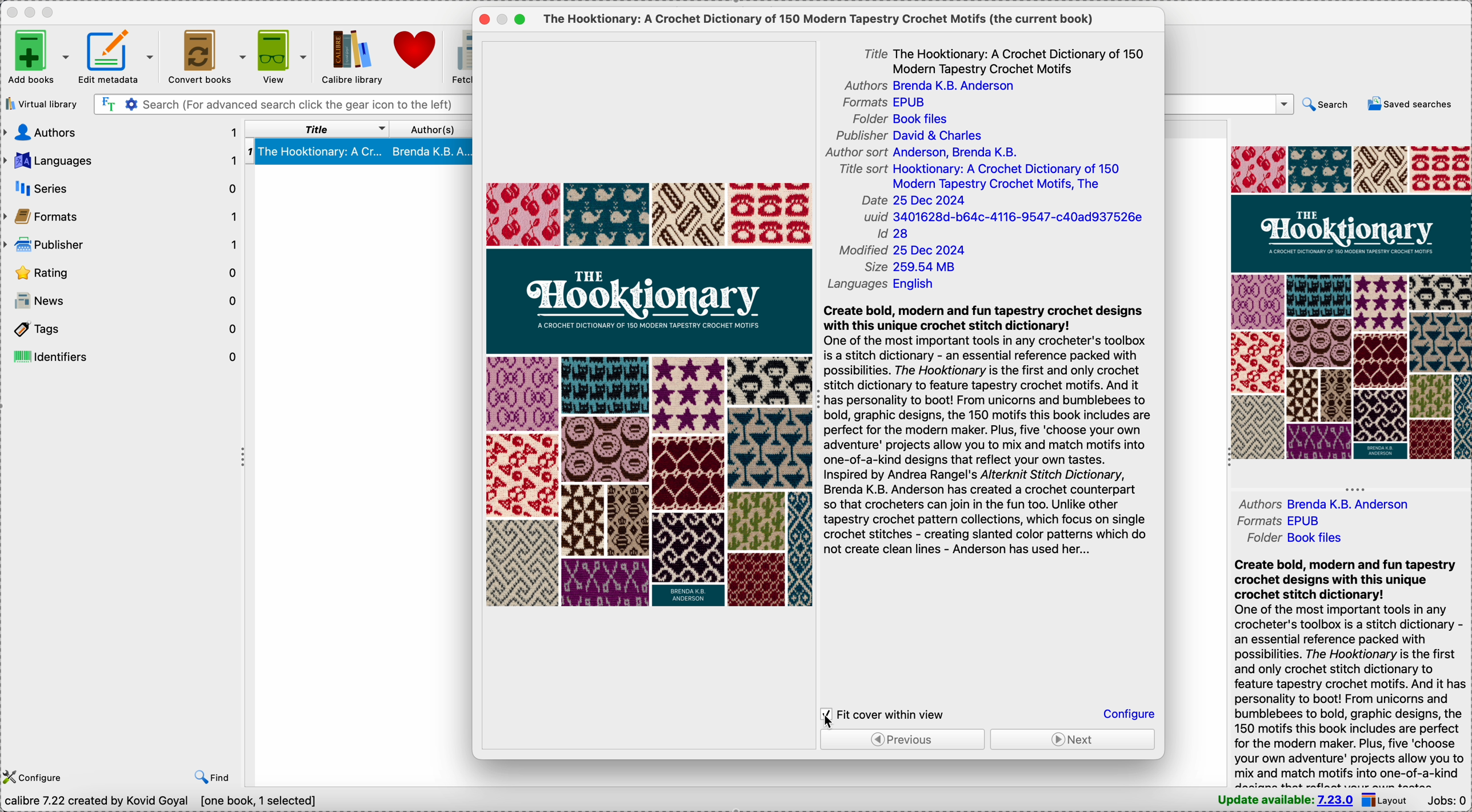 The width and height of the screenshot is (1472, 812). I want to click on previous, so click(901, 739).